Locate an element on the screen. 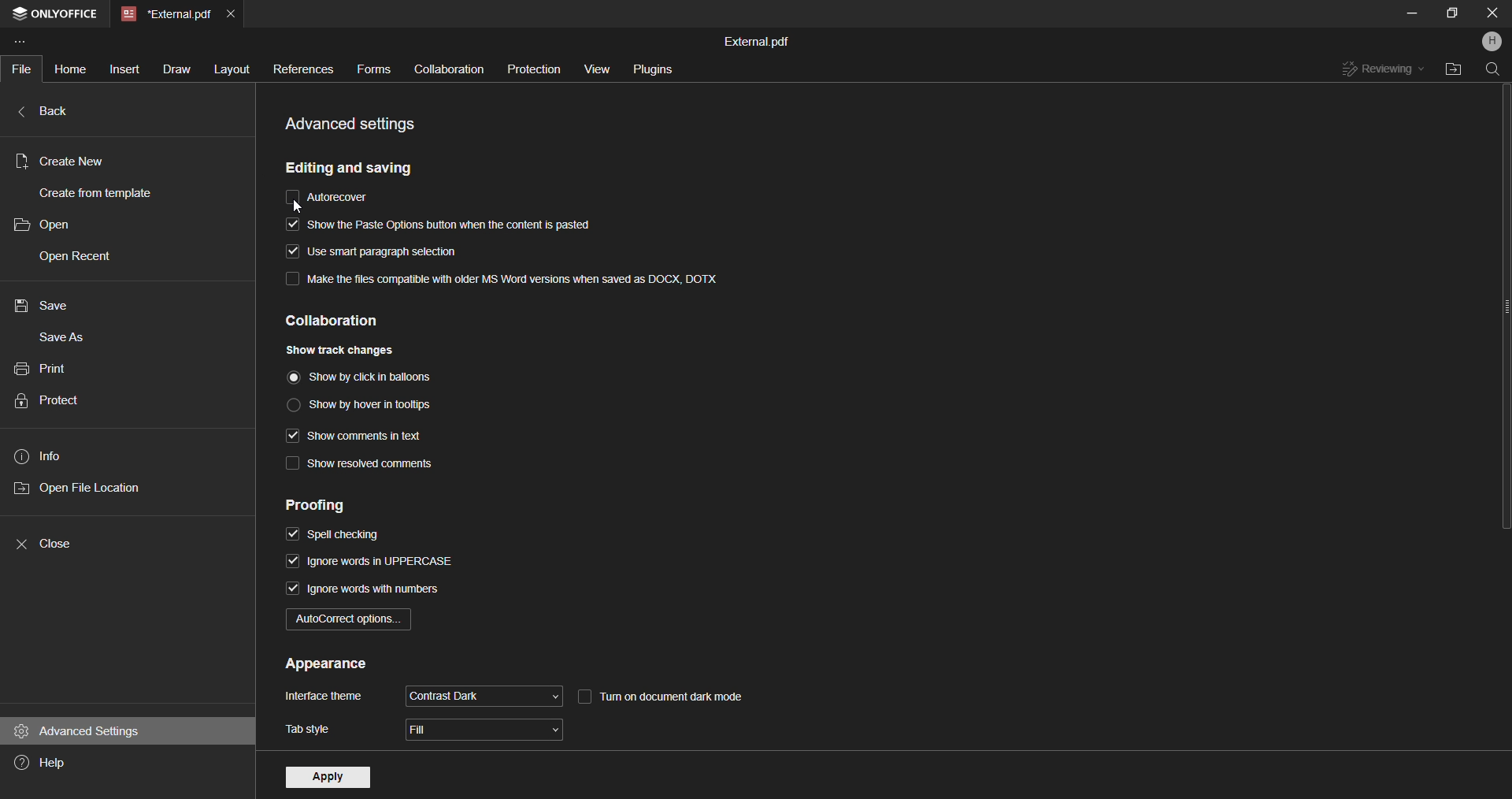  Insert is located at coordinates (123, 69).